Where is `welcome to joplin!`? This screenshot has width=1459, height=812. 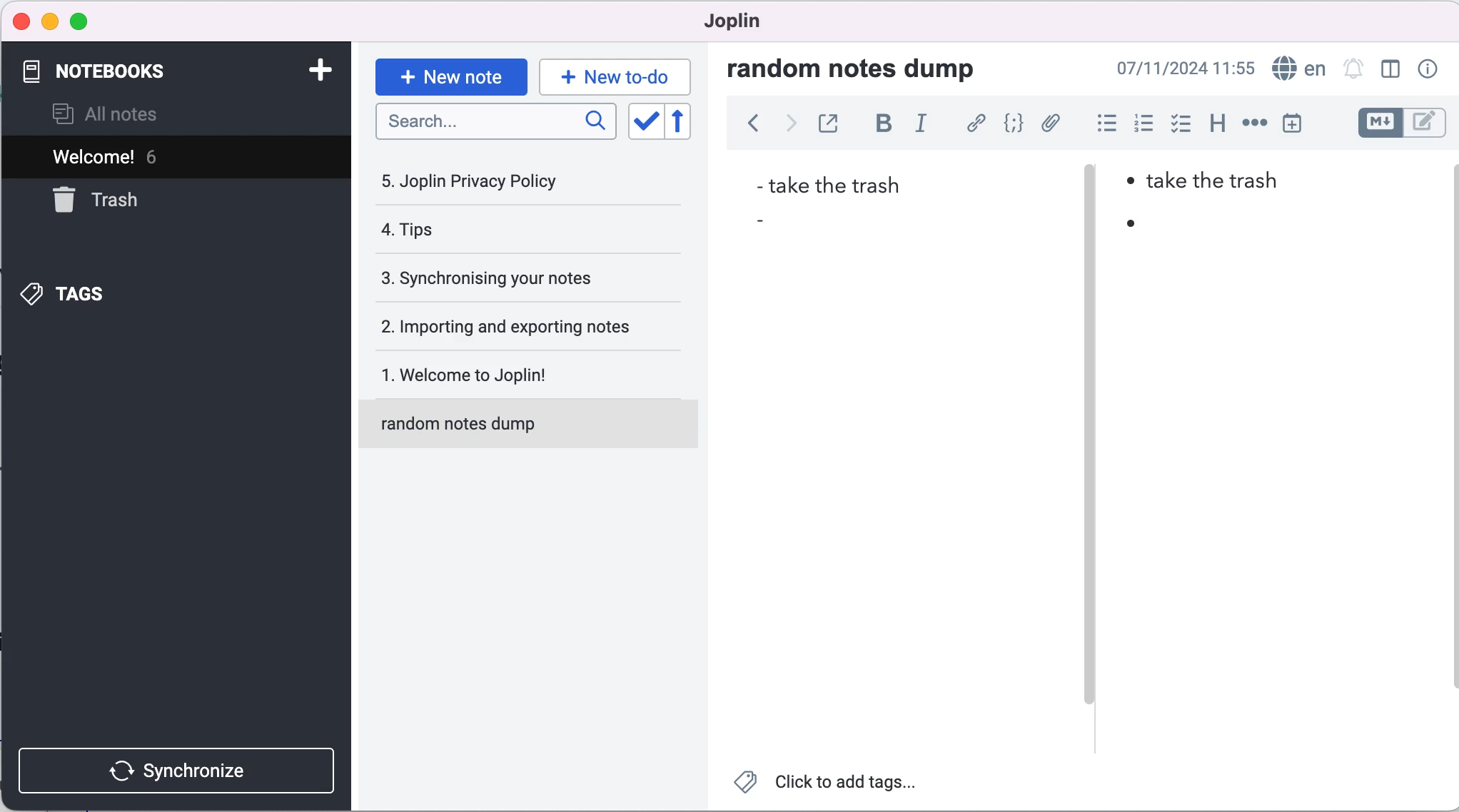
welcome to joplin! is located at coordinates (515, 377).